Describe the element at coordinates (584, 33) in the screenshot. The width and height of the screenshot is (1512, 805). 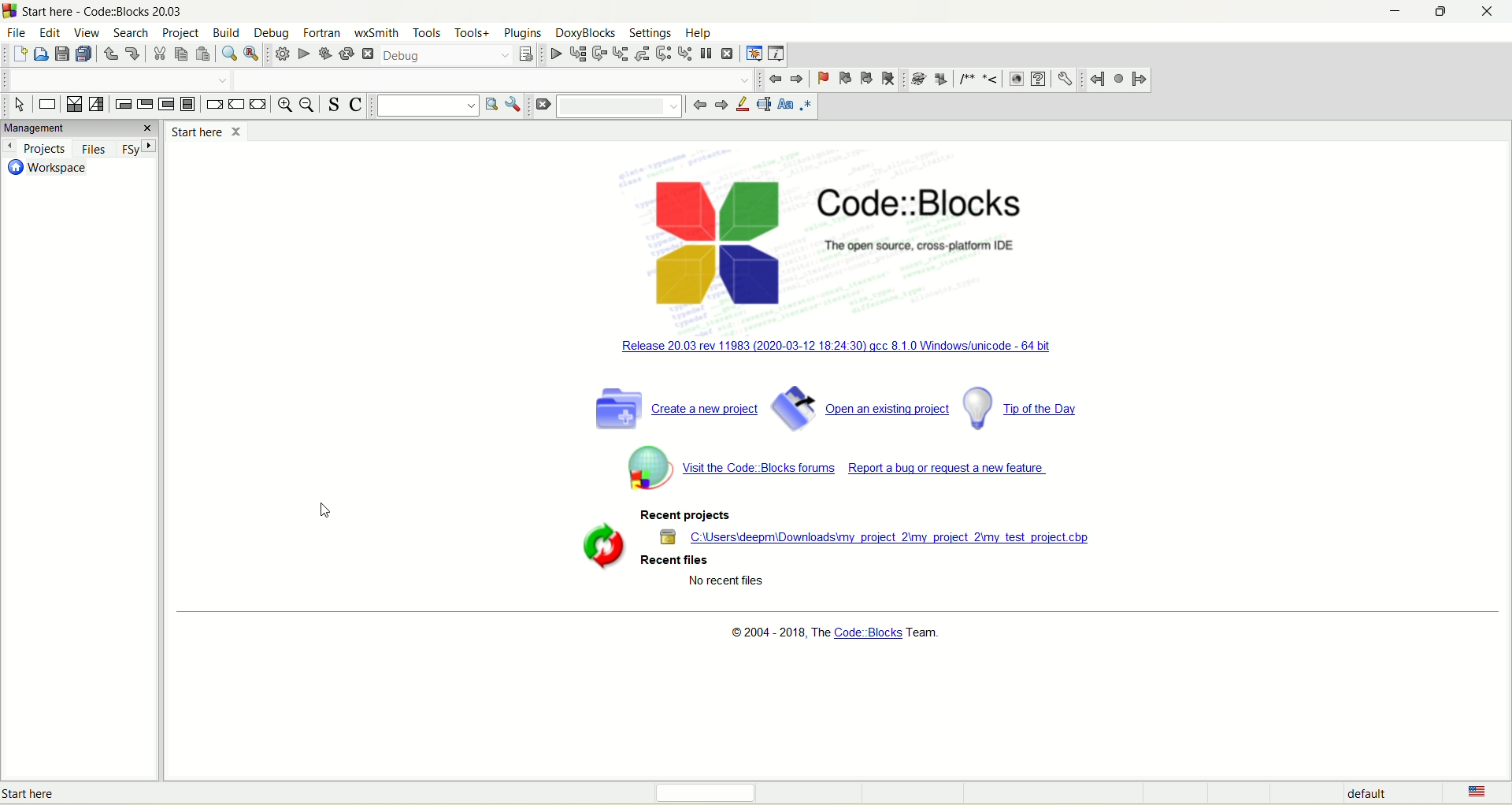
I see `doxyblocks` at that location.